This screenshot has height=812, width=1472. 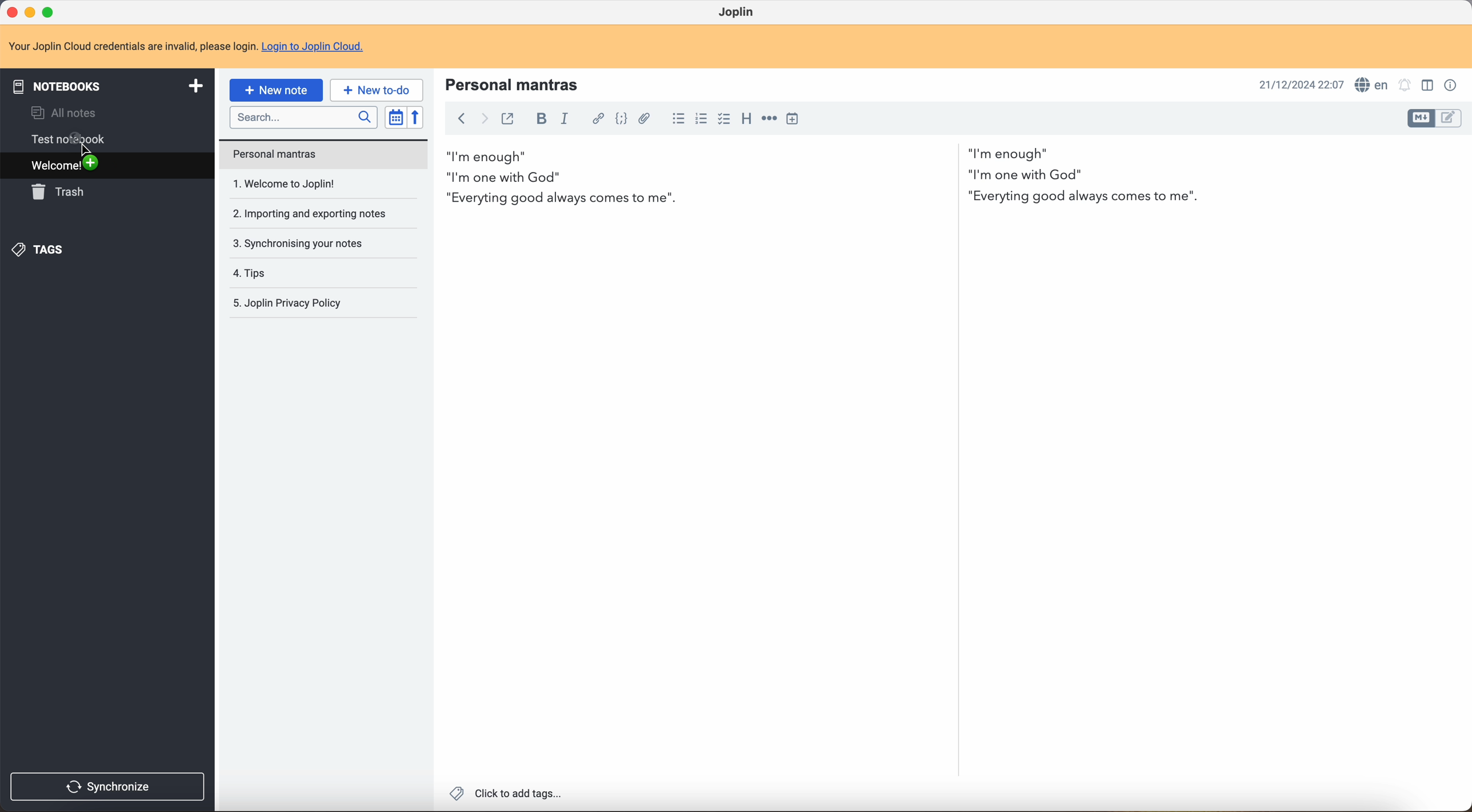 I want to click on close program, so click(x=10, y=12).